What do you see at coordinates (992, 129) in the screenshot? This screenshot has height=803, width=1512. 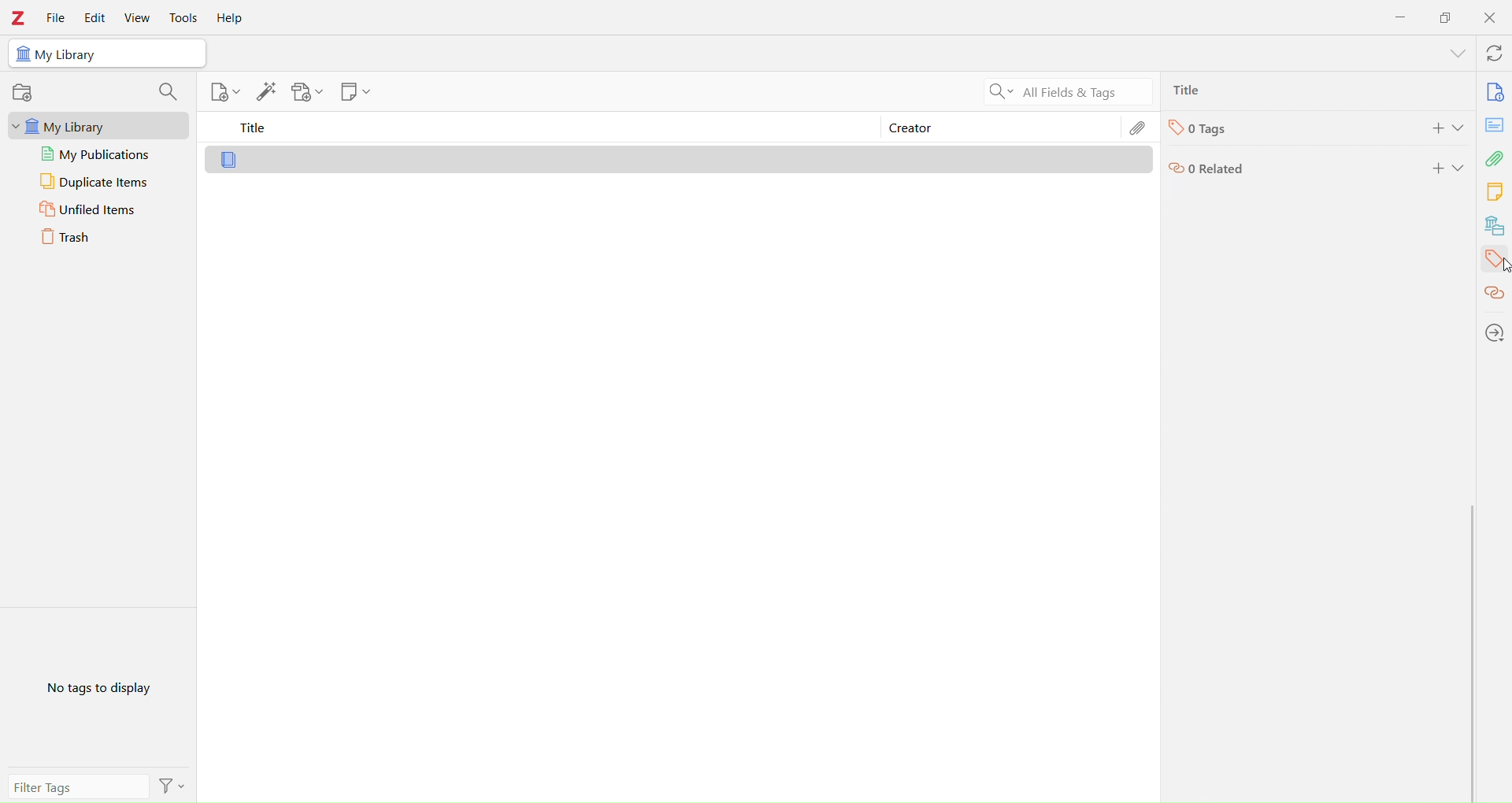 I see `Creator` at bounding box center [992, 129].